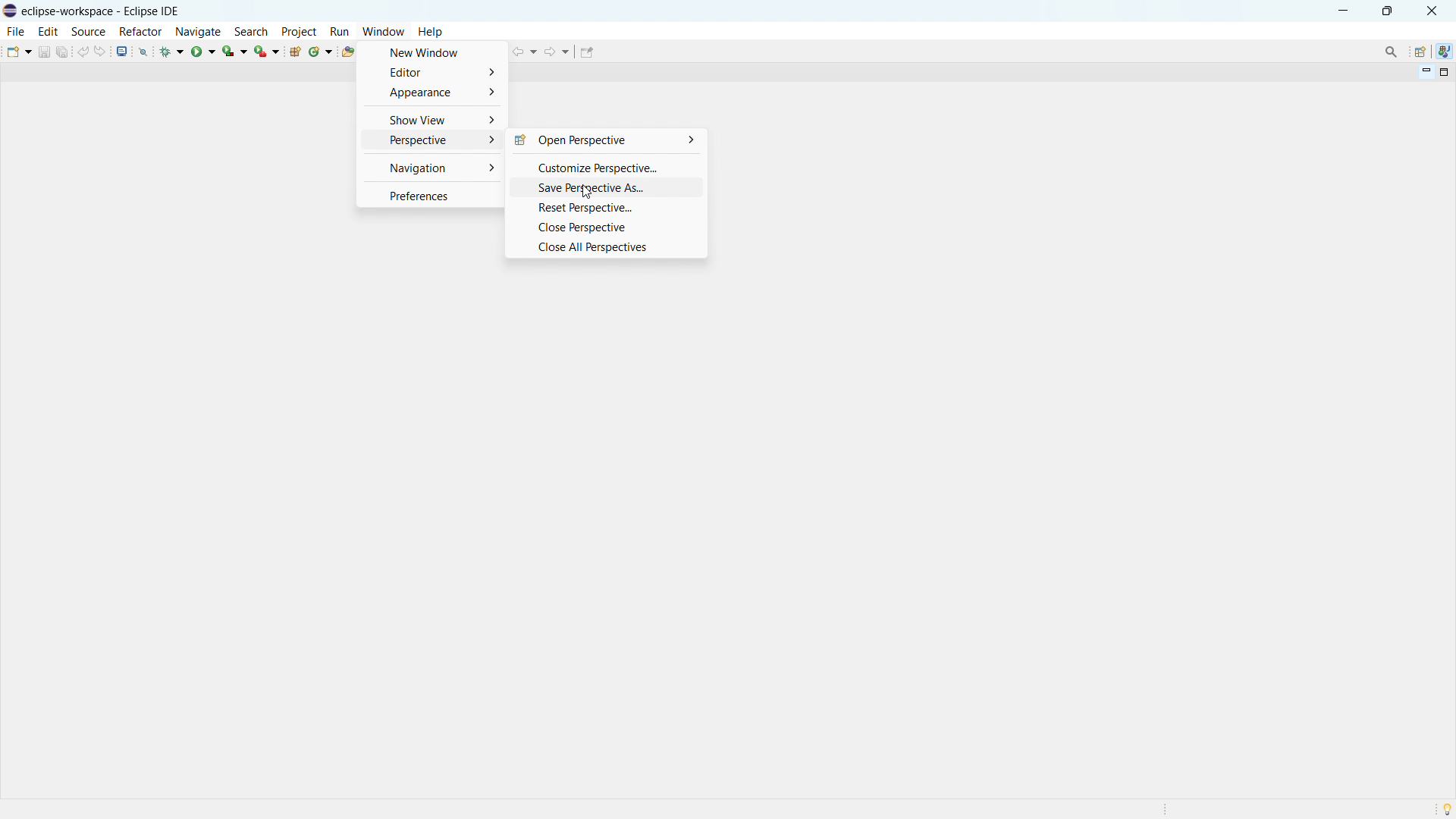 The image size is (1456, 819). I want to click on new java class, so click(322, 52).